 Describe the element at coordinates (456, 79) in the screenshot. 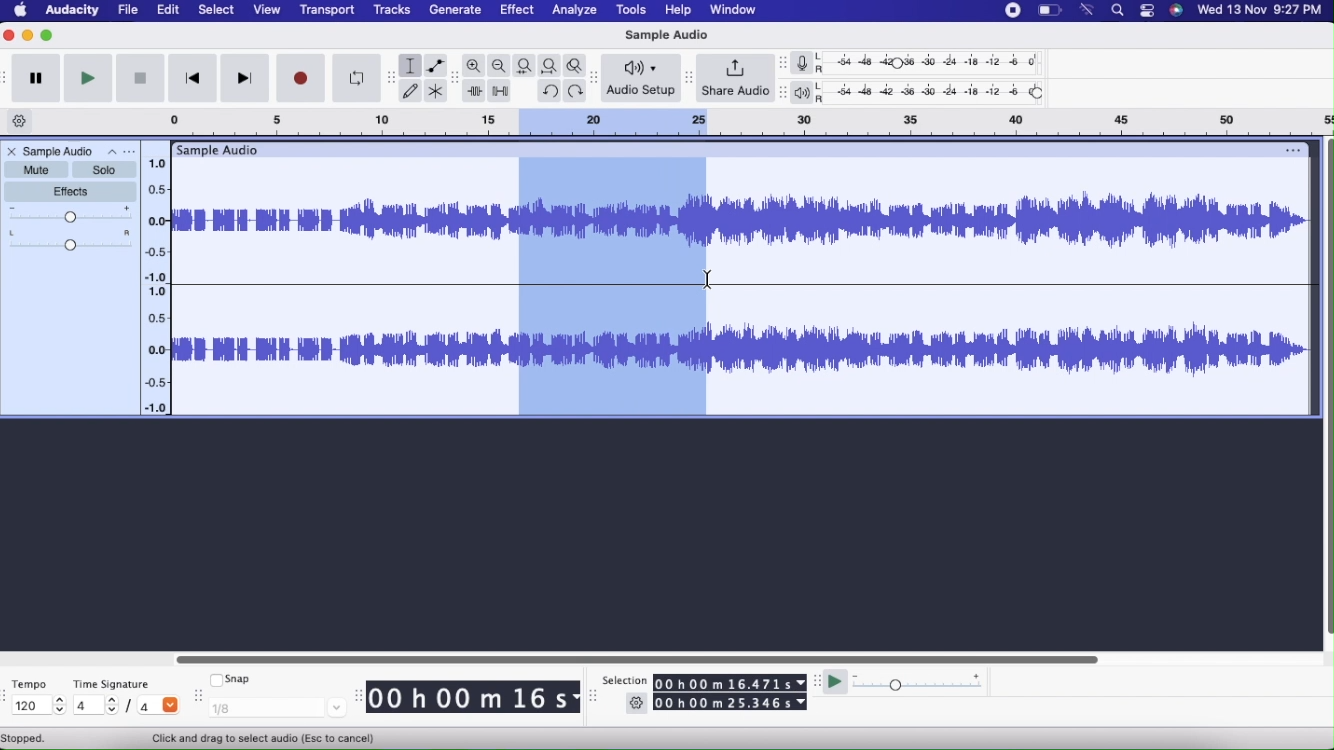

I see `move toolbar` at that location.